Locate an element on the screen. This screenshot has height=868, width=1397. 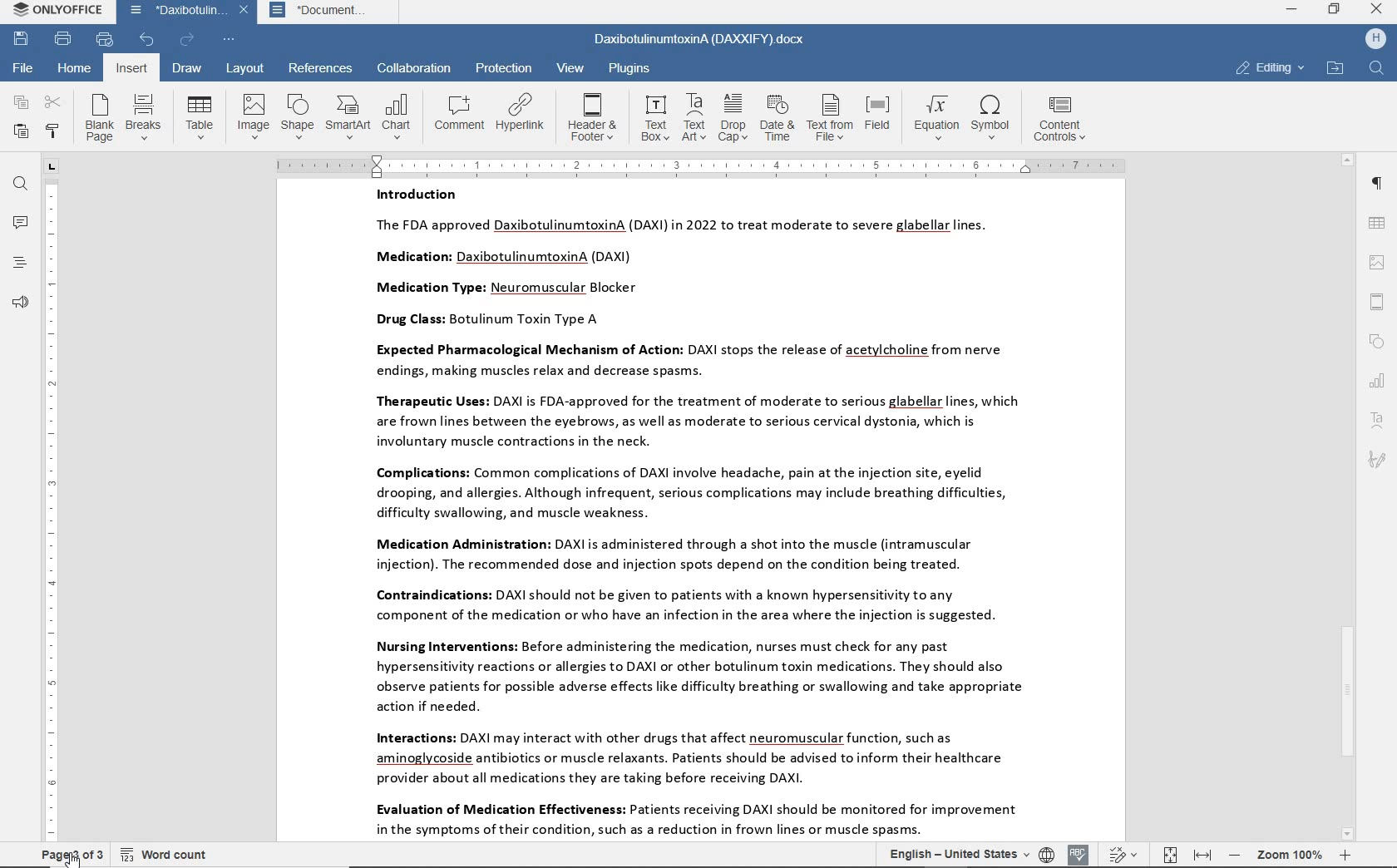
comments is located at coordinates (20, 223).